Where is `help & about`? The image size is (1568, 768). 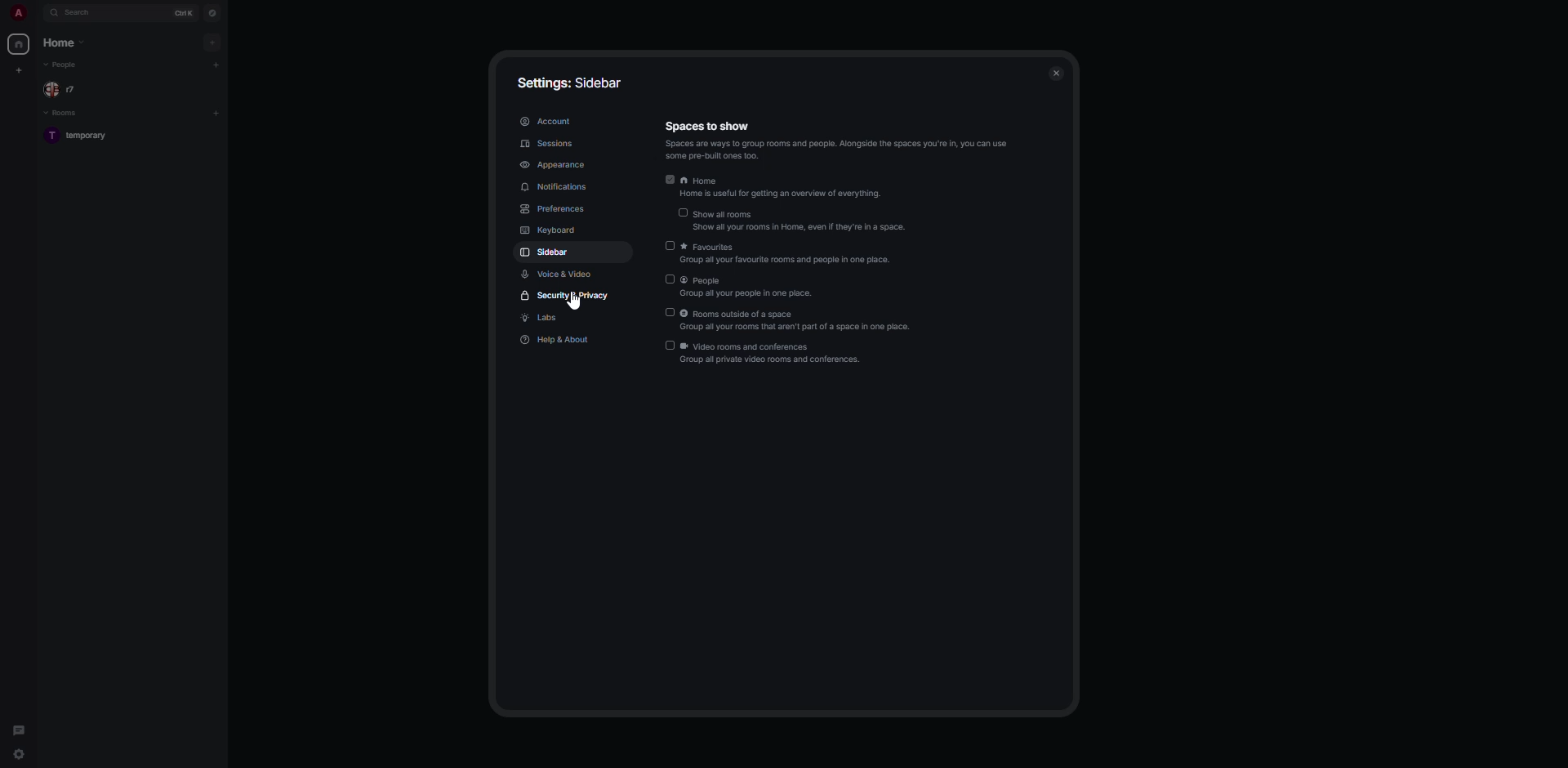 help & about is located at coordinates (559, 340).